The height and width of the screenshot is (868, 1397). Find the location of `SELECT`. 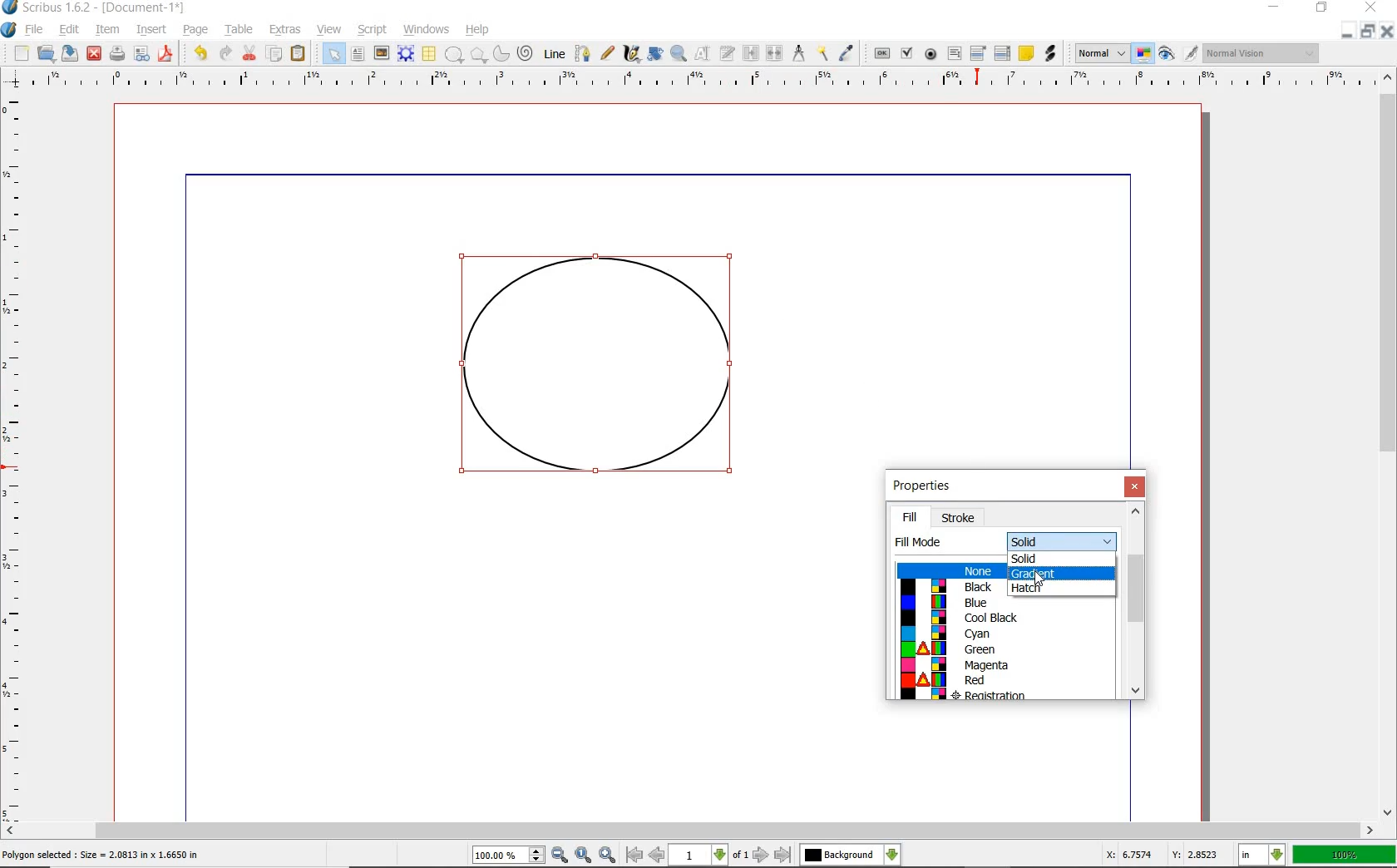

SELECT is located at coordinates (333, 55).